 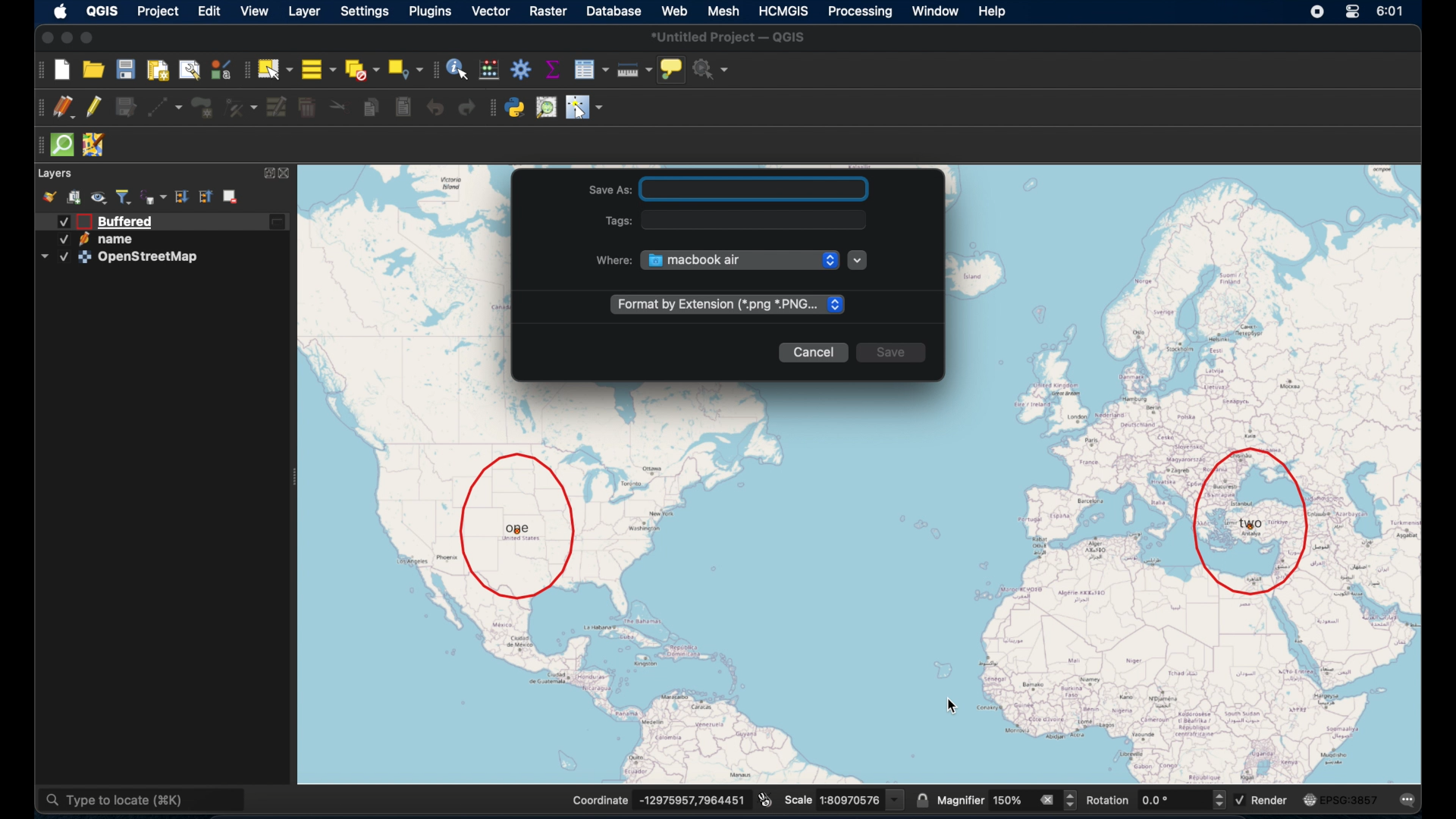 What do you see at coordinates (1351, 800) in the screenshot?
I see `EPSG:3875` at bounding box center [1351, 800].